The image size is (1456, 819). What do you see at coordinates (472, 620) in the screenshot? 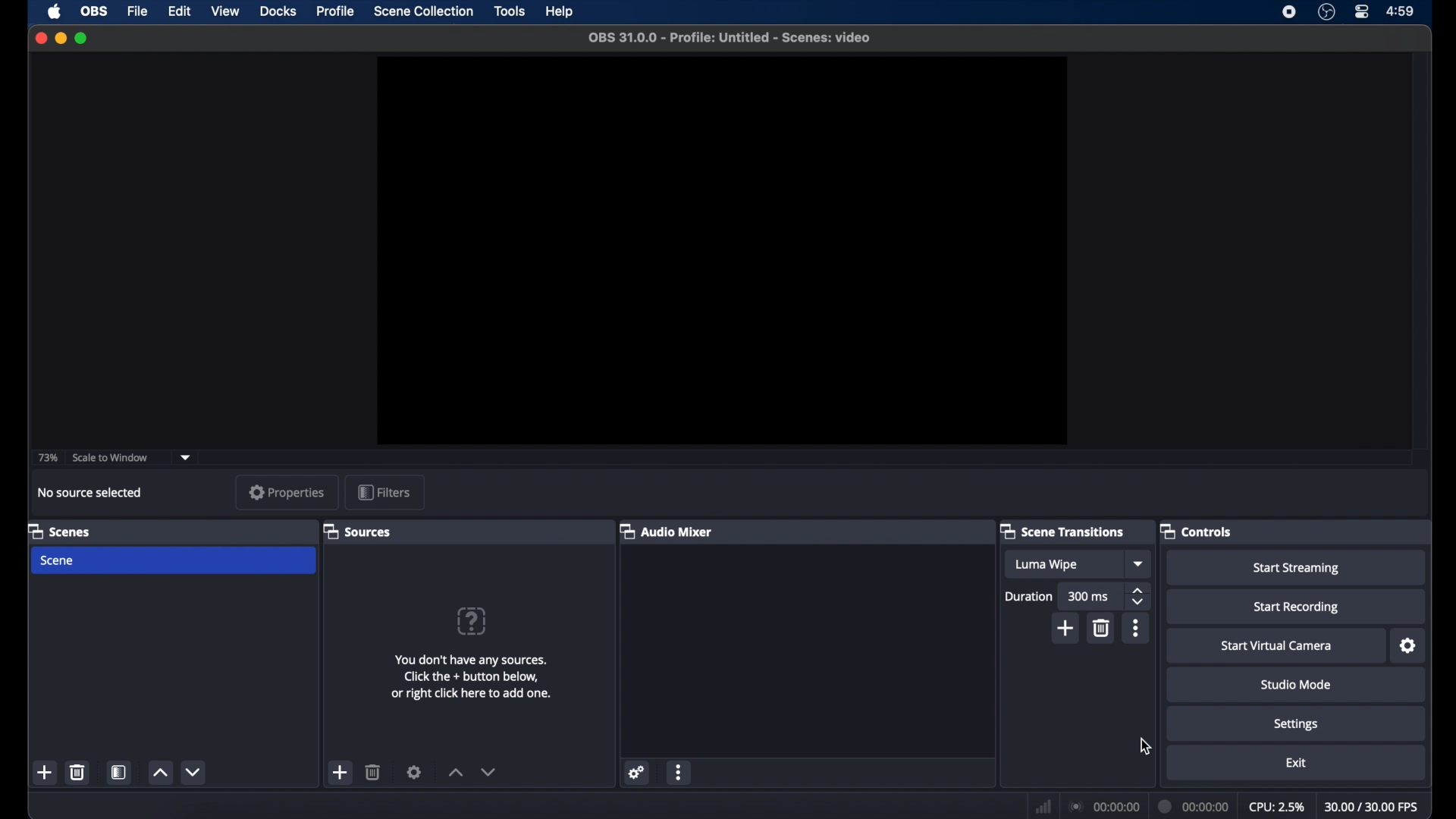
I see `question mark` at bounding box center [472, 620].